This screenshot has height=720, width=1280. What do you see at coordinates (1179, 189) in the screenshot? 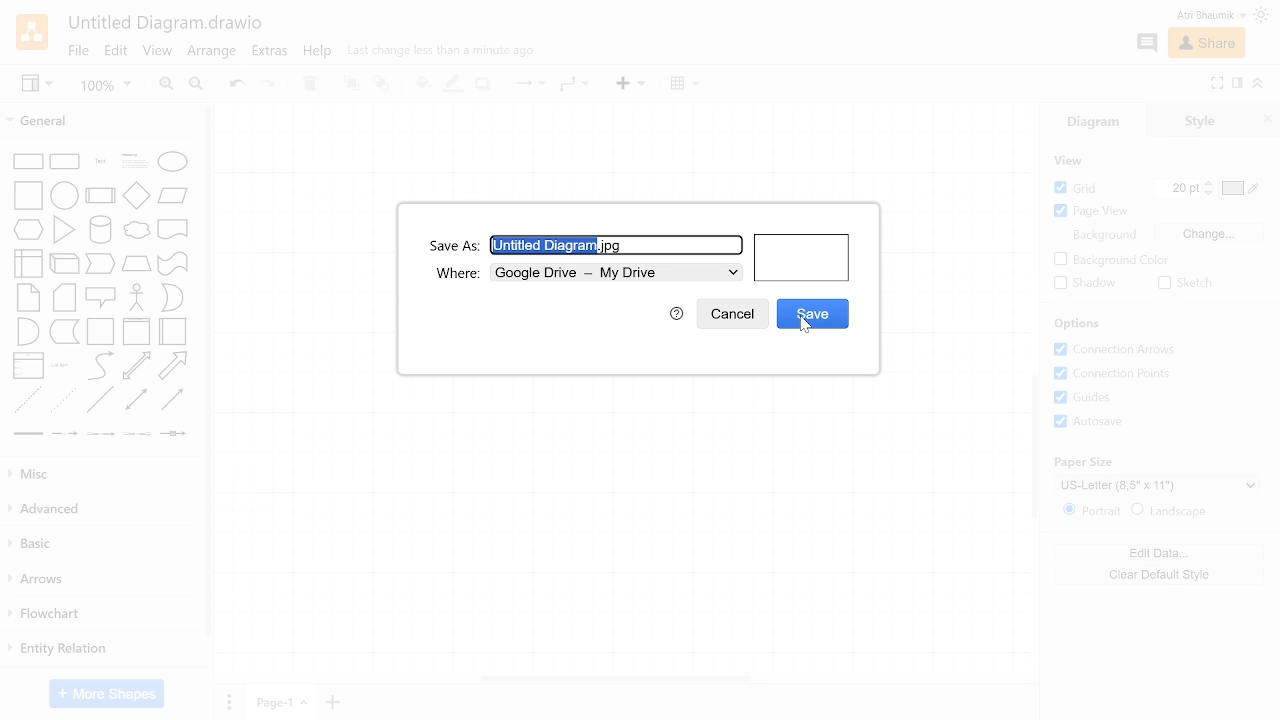
I see `Grid pts` at bounding box center [1179, 189].